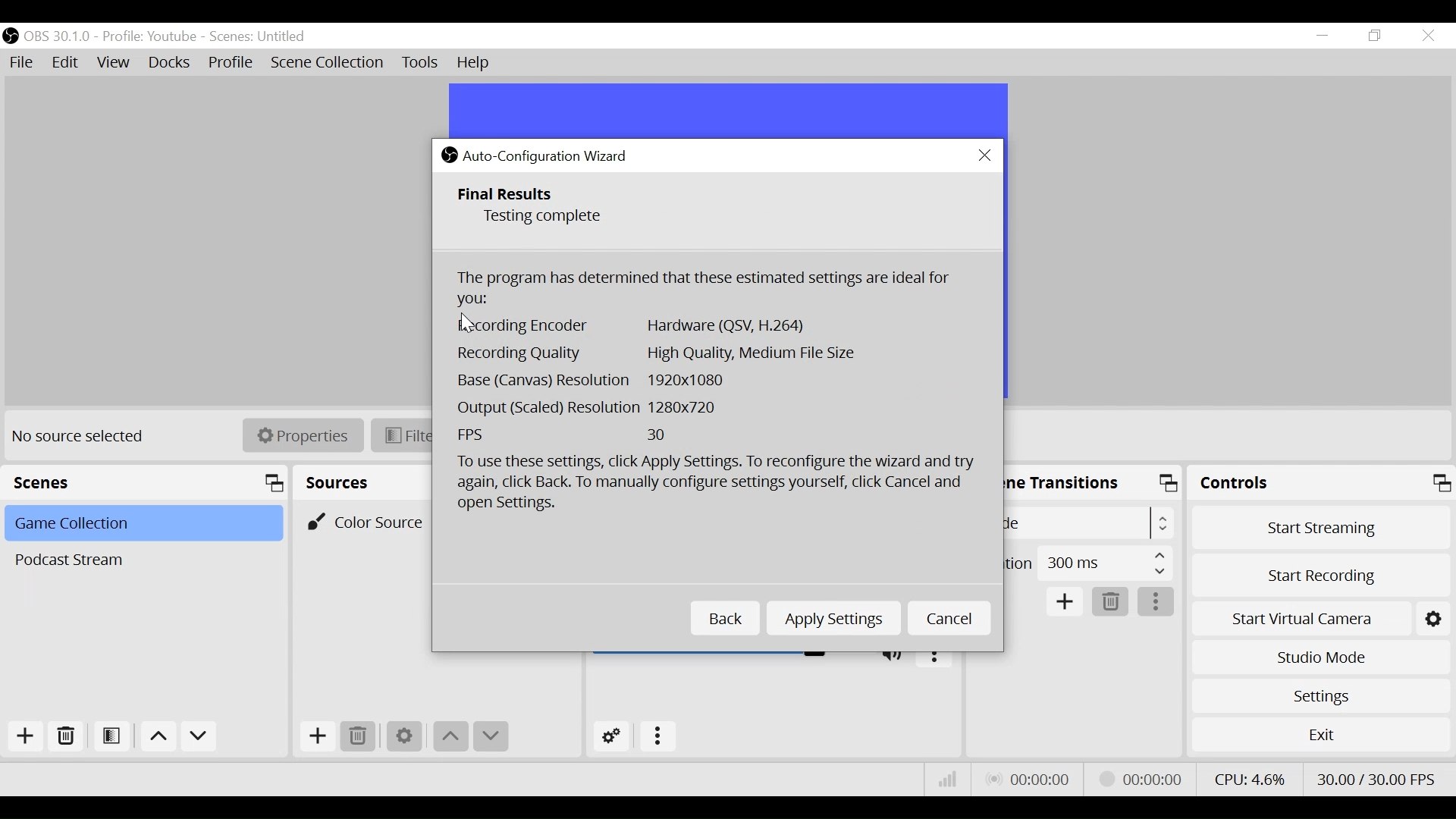  What do you see at coordinates (609, 736) in the screenshot?
I see `Advanced Audio Settings` at bounding box center [609, 736].